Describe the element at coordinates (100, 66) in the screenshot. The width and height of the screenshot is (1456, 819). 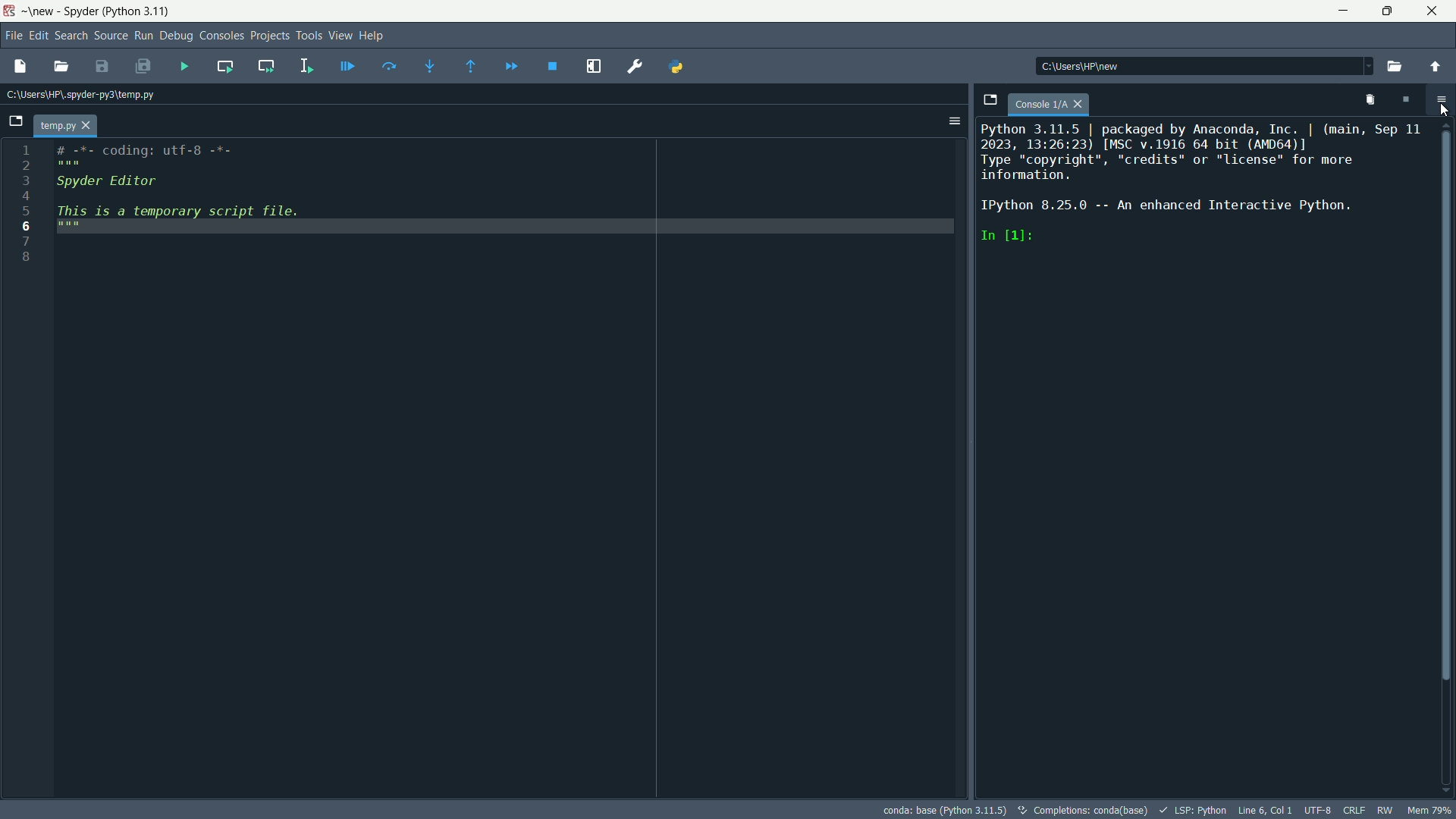
I see `save file` at that location.